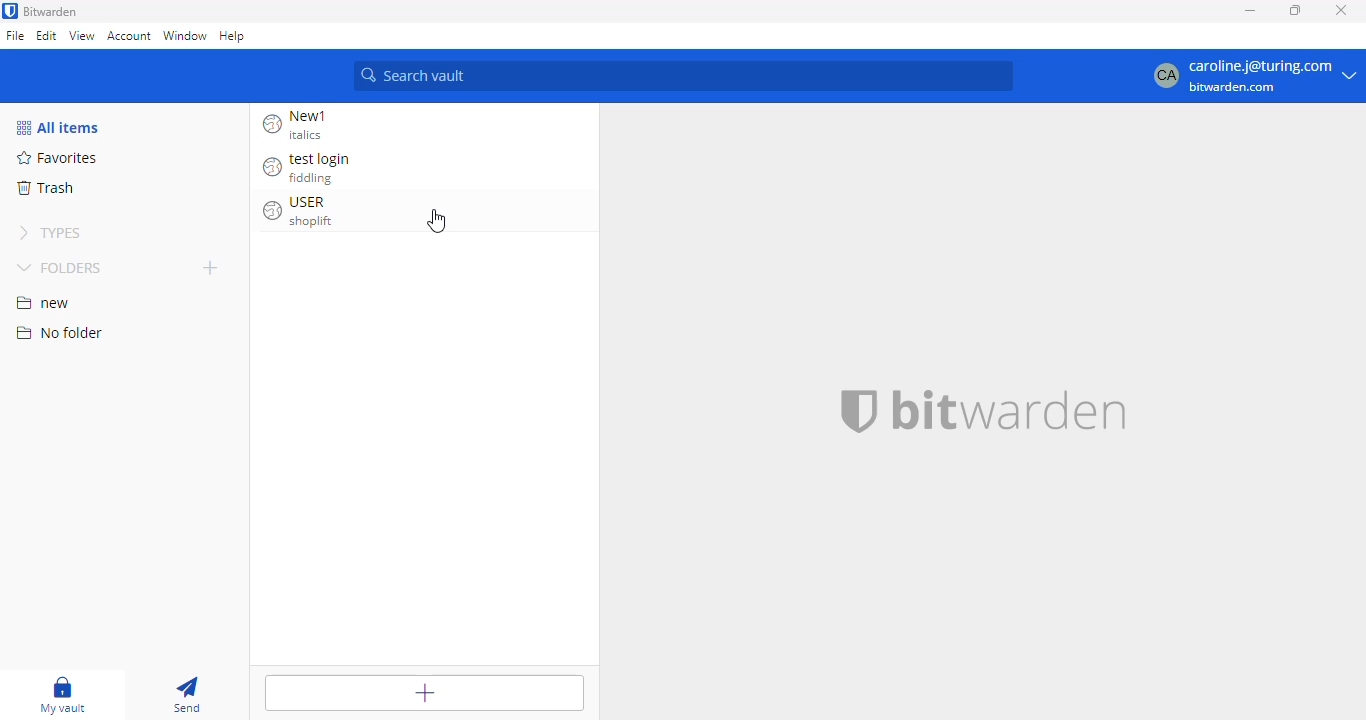 Image resolution: width=1366 pixels, height=720 pixels. I want to click on all items, so click(60, 128).